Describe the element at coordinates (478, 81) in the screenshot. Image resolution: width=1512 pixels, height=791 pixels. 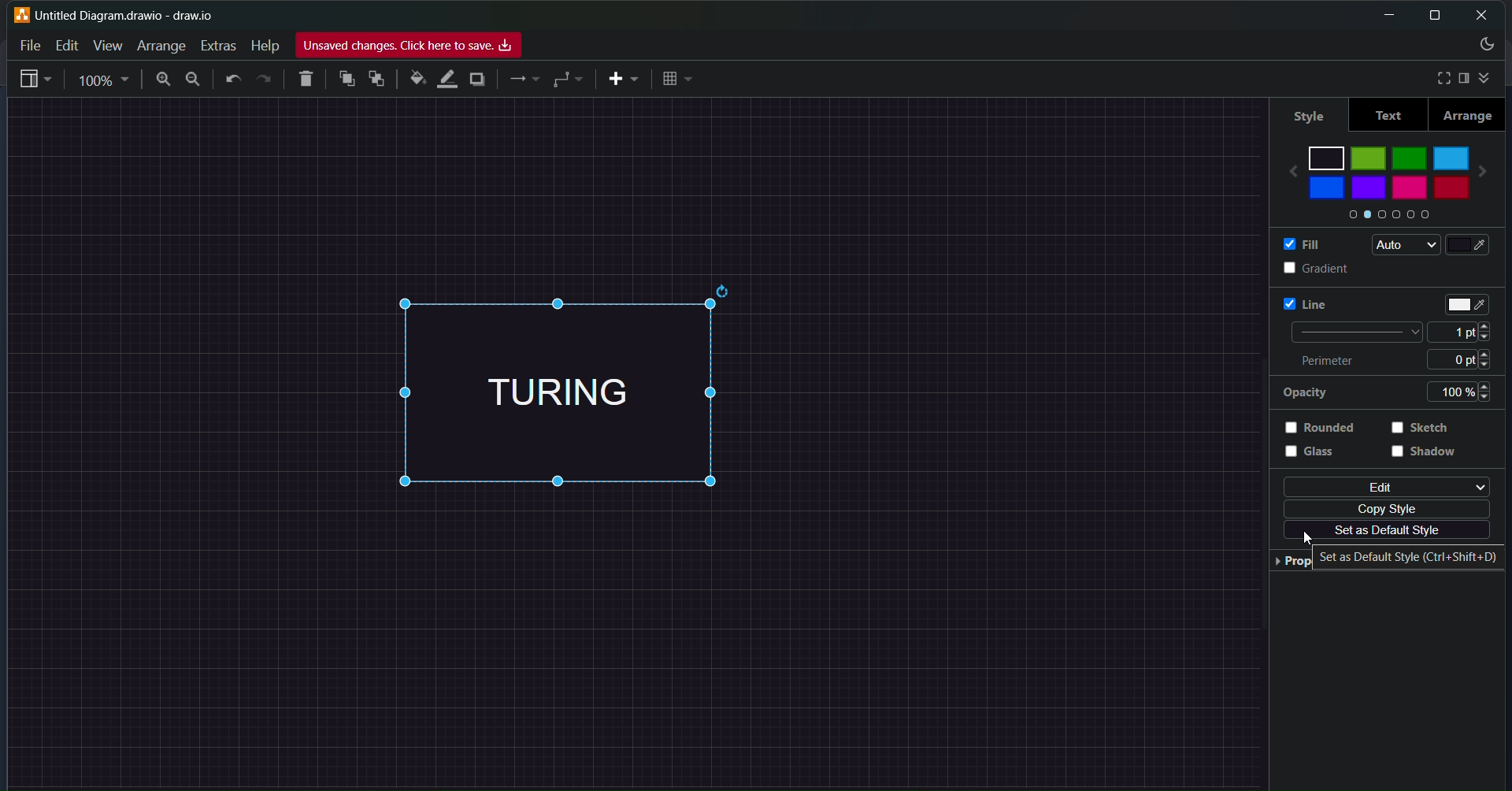
I see `shadow` at that location.